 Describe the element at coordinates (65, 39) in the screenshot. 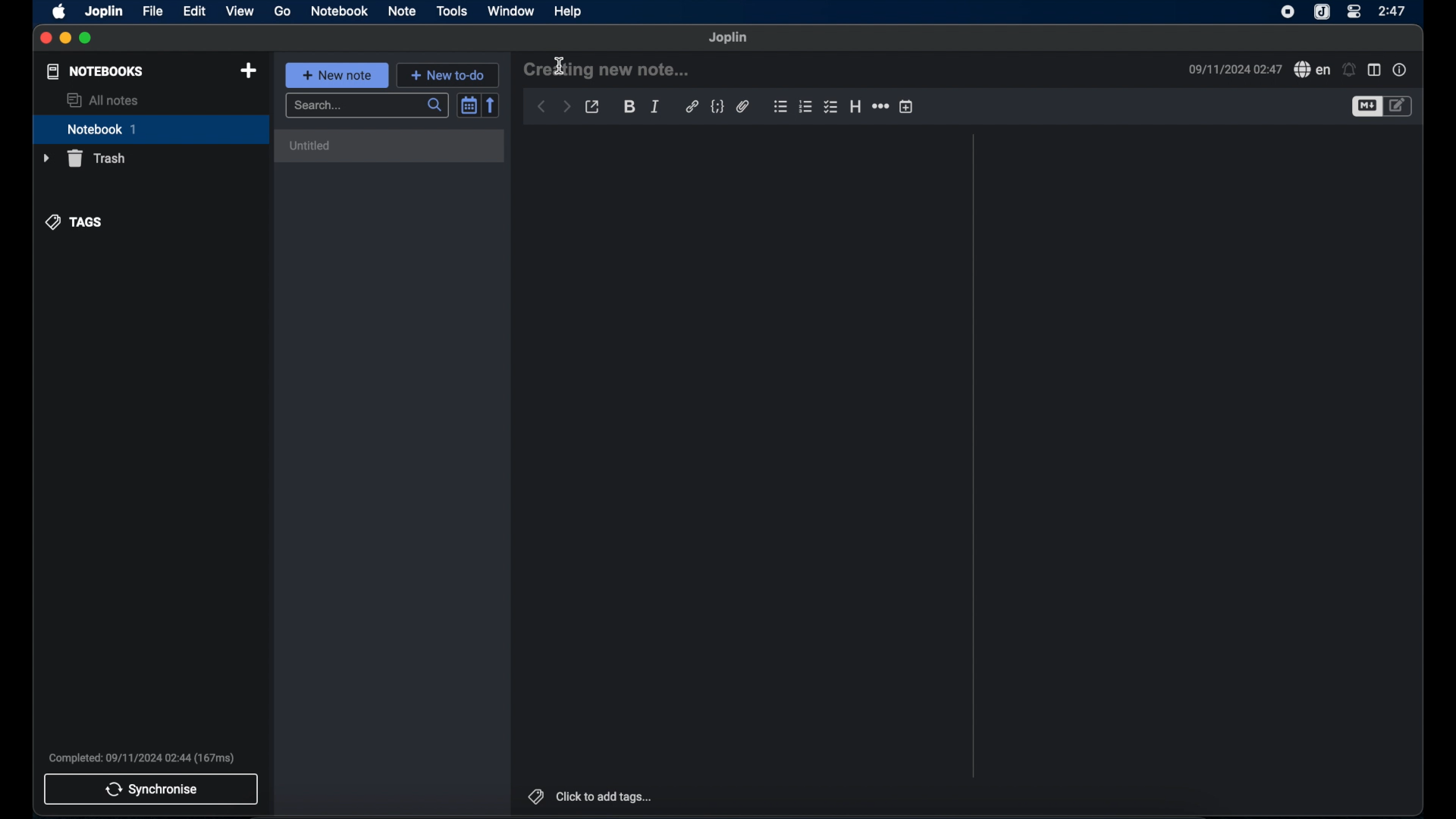

I see `minimize` at that location.